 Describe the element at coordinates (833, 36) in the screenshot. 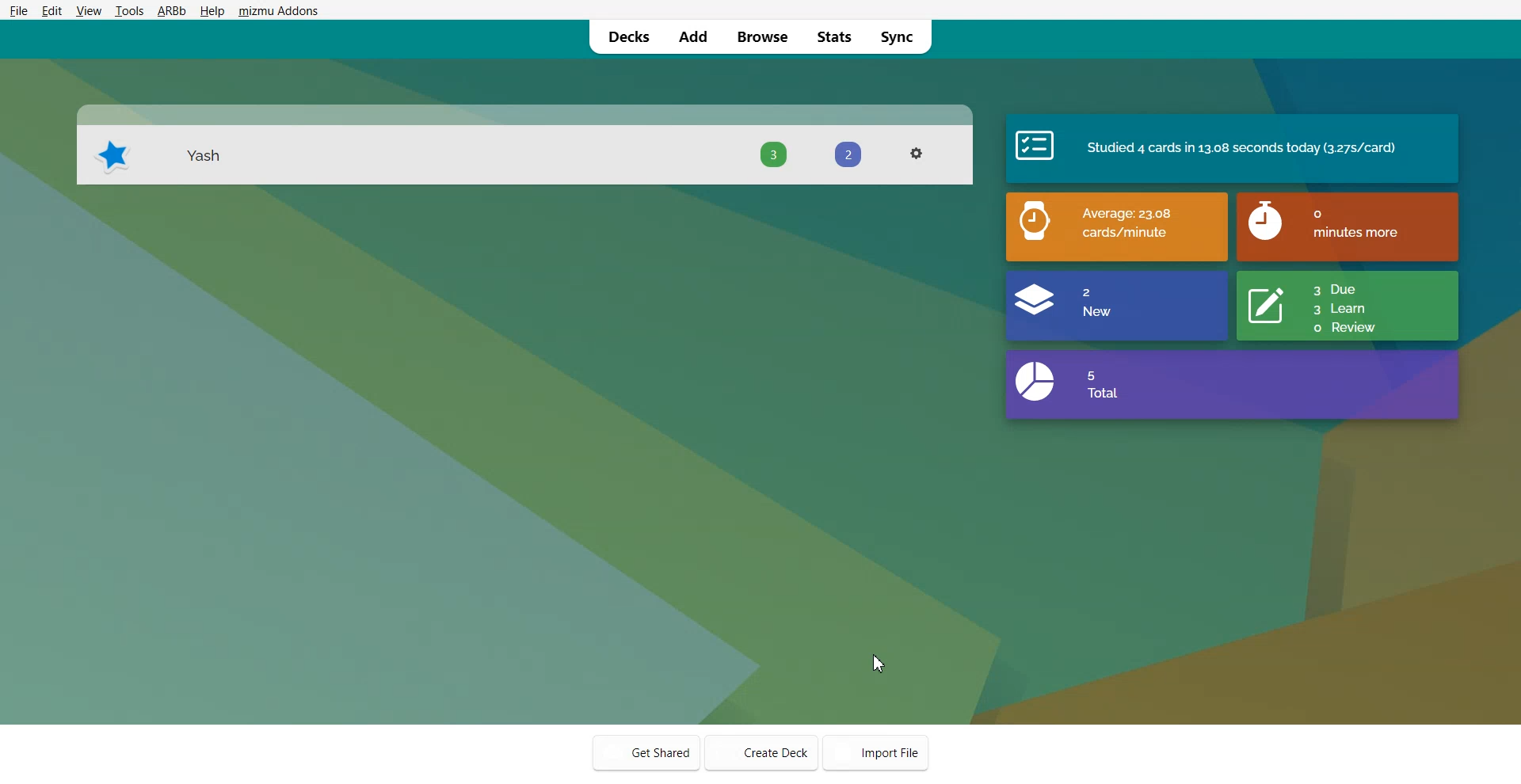

I see `Stats` at that location.